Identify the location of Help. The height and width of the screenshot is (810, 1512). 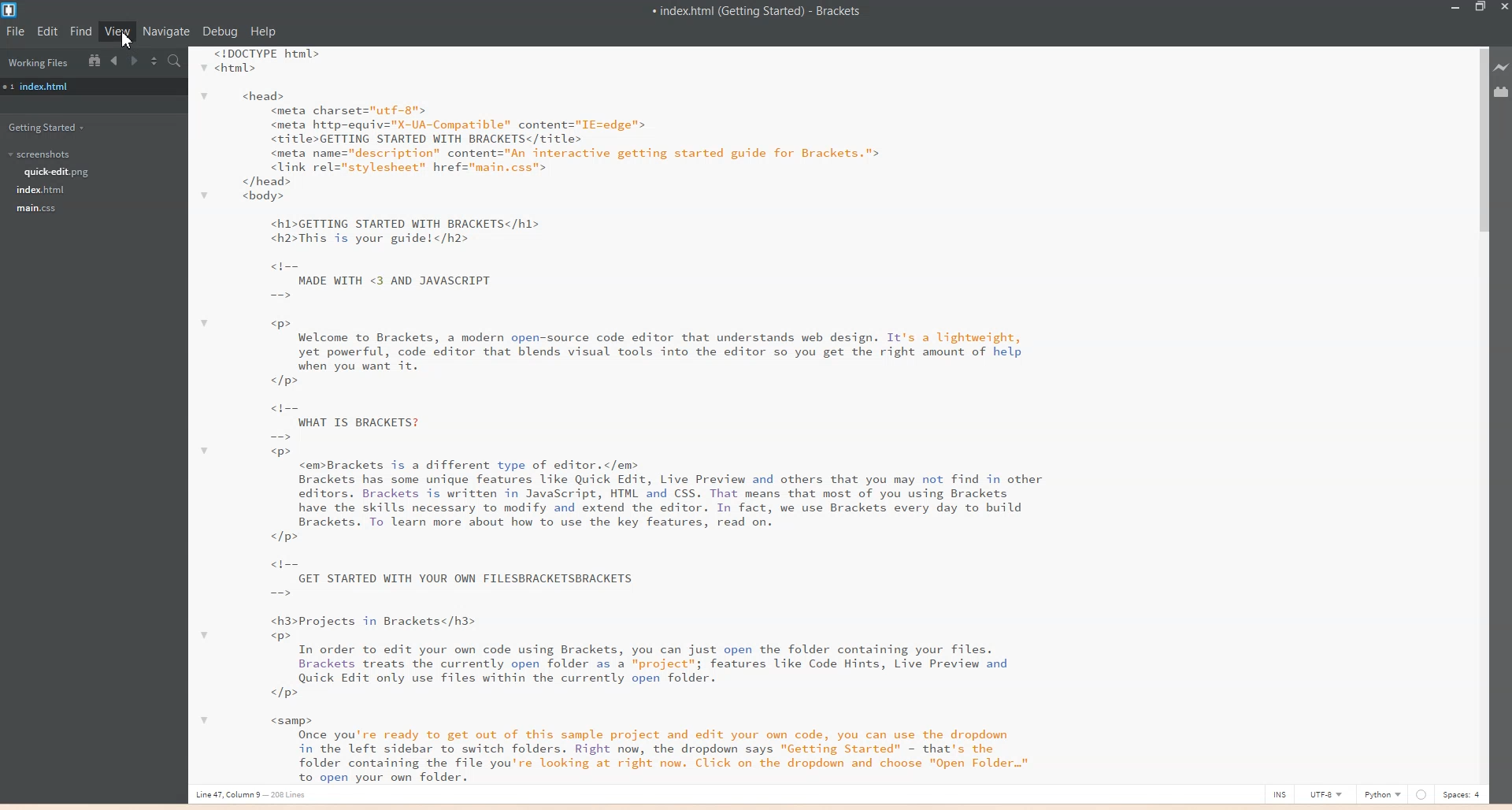
(264, 32).